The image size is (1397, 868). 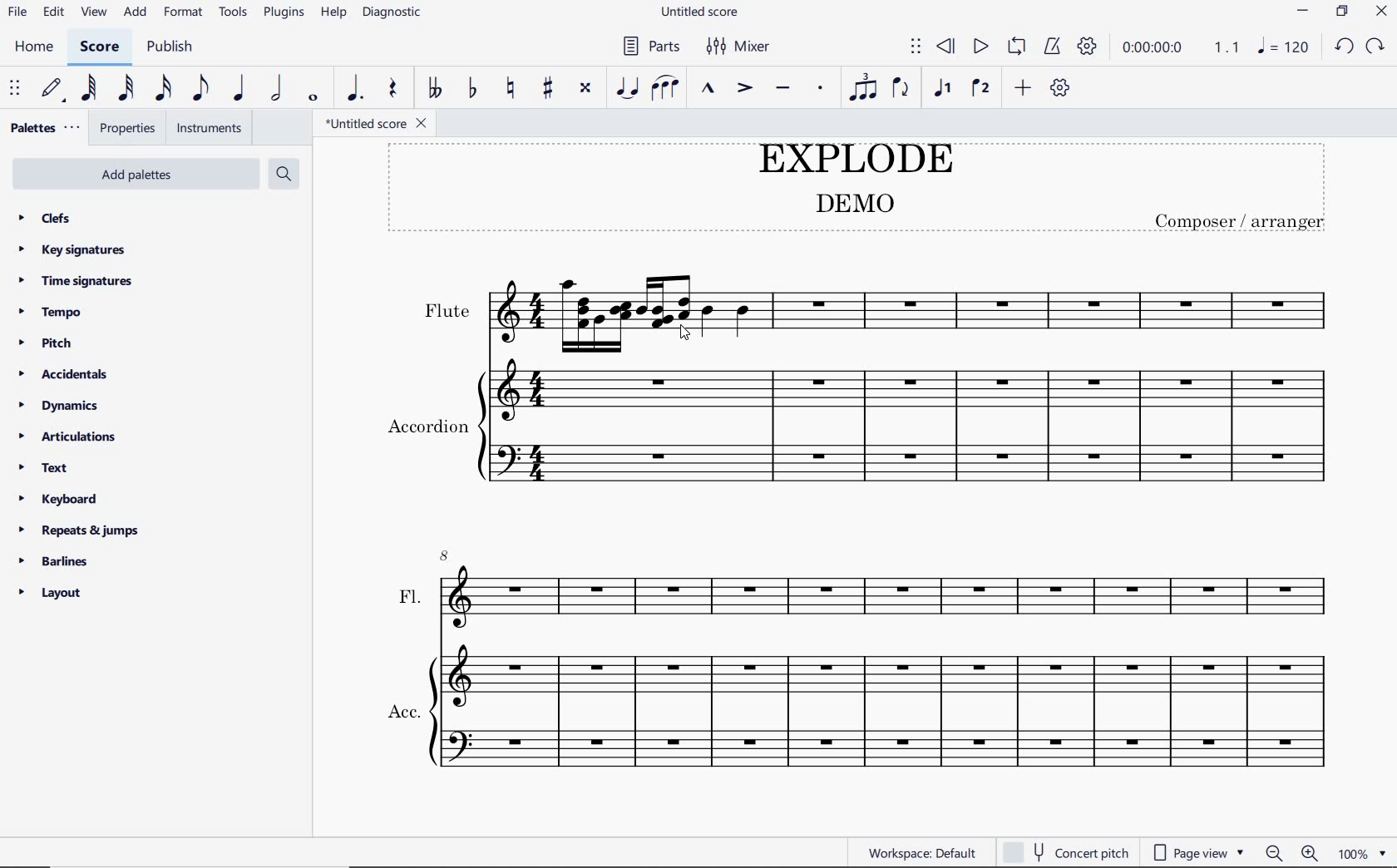 I want to click on redo, so click(x=1341, y=49).